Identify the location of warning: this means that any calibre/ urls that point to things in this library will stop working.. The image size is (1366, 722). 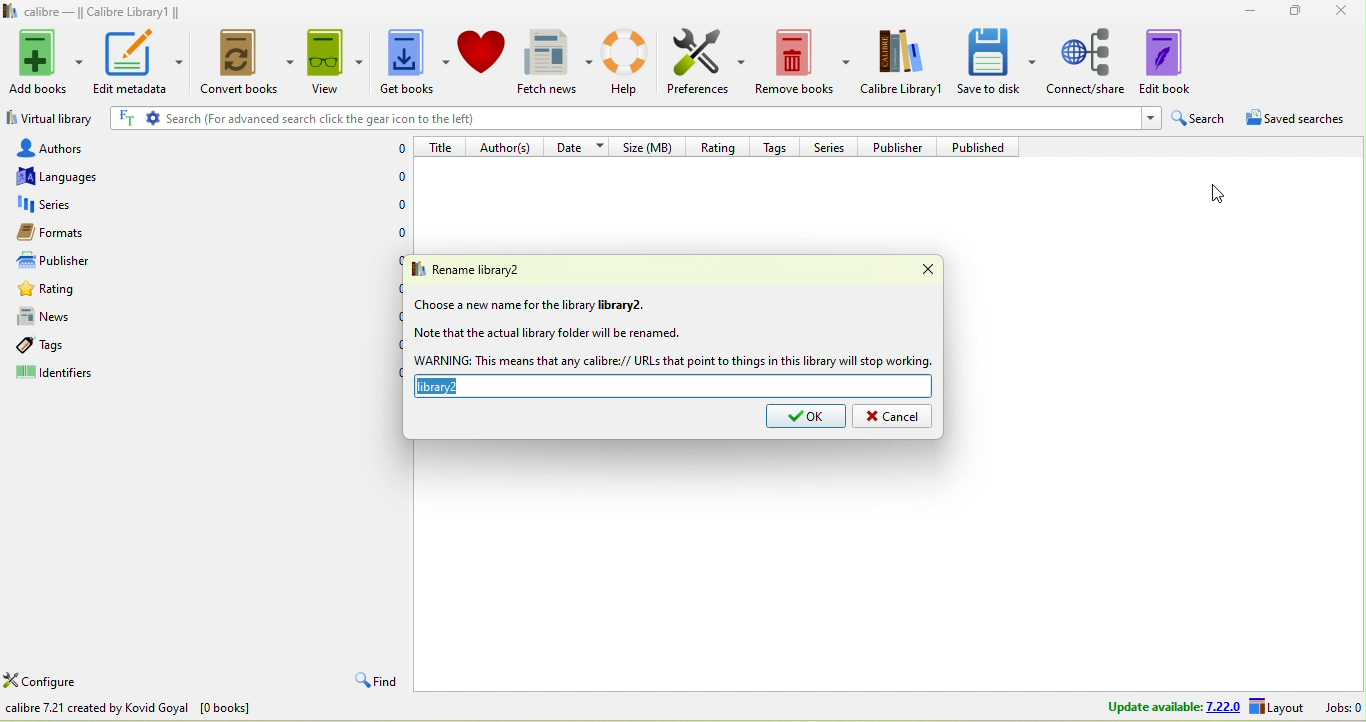
(673, 361).